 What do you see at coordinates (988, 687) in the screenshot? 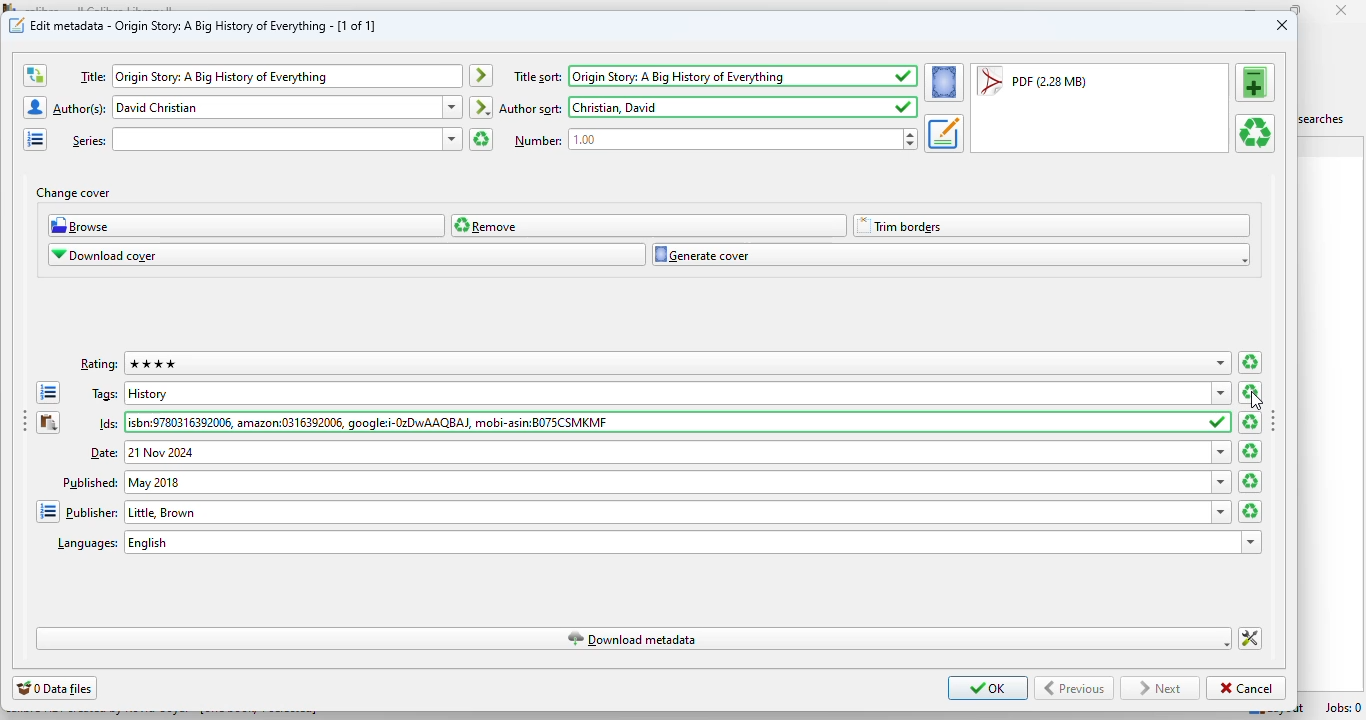
I see `OK` at bounding box center [988, 687].